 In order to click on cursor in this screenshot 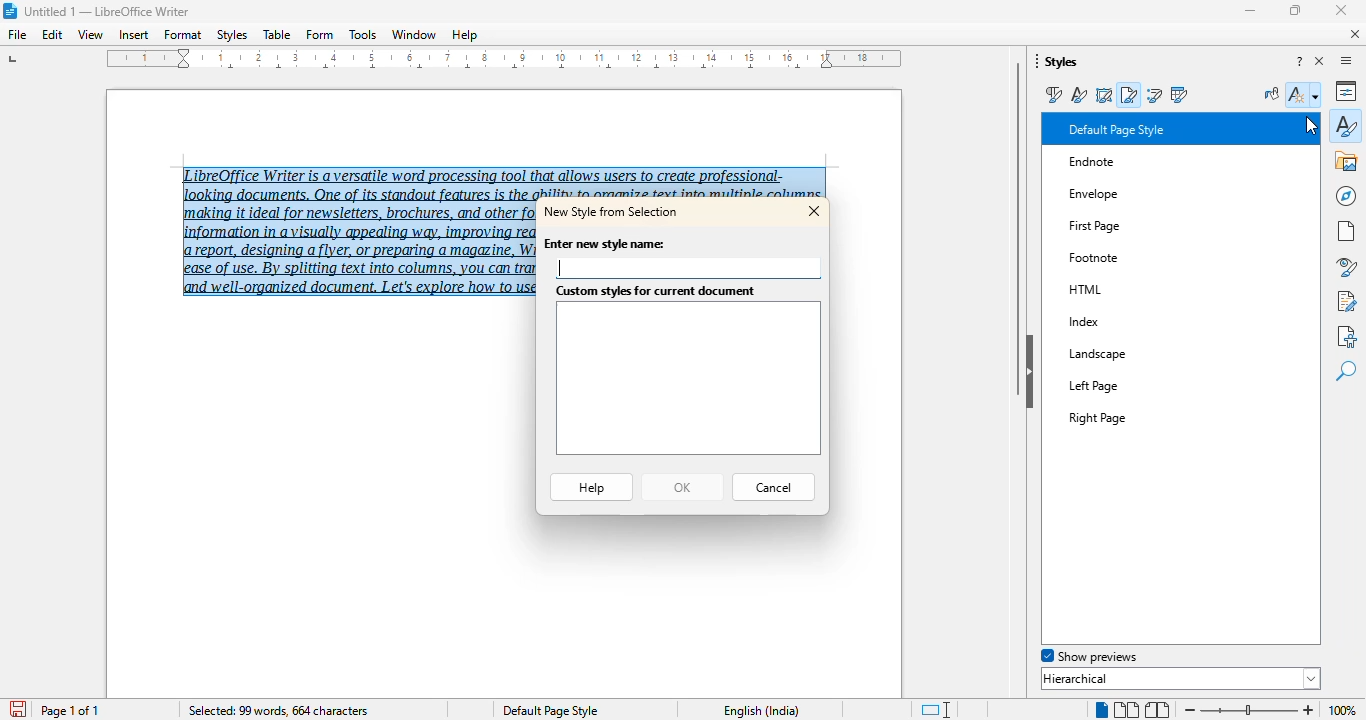, I will do `click(1305, 126)`.